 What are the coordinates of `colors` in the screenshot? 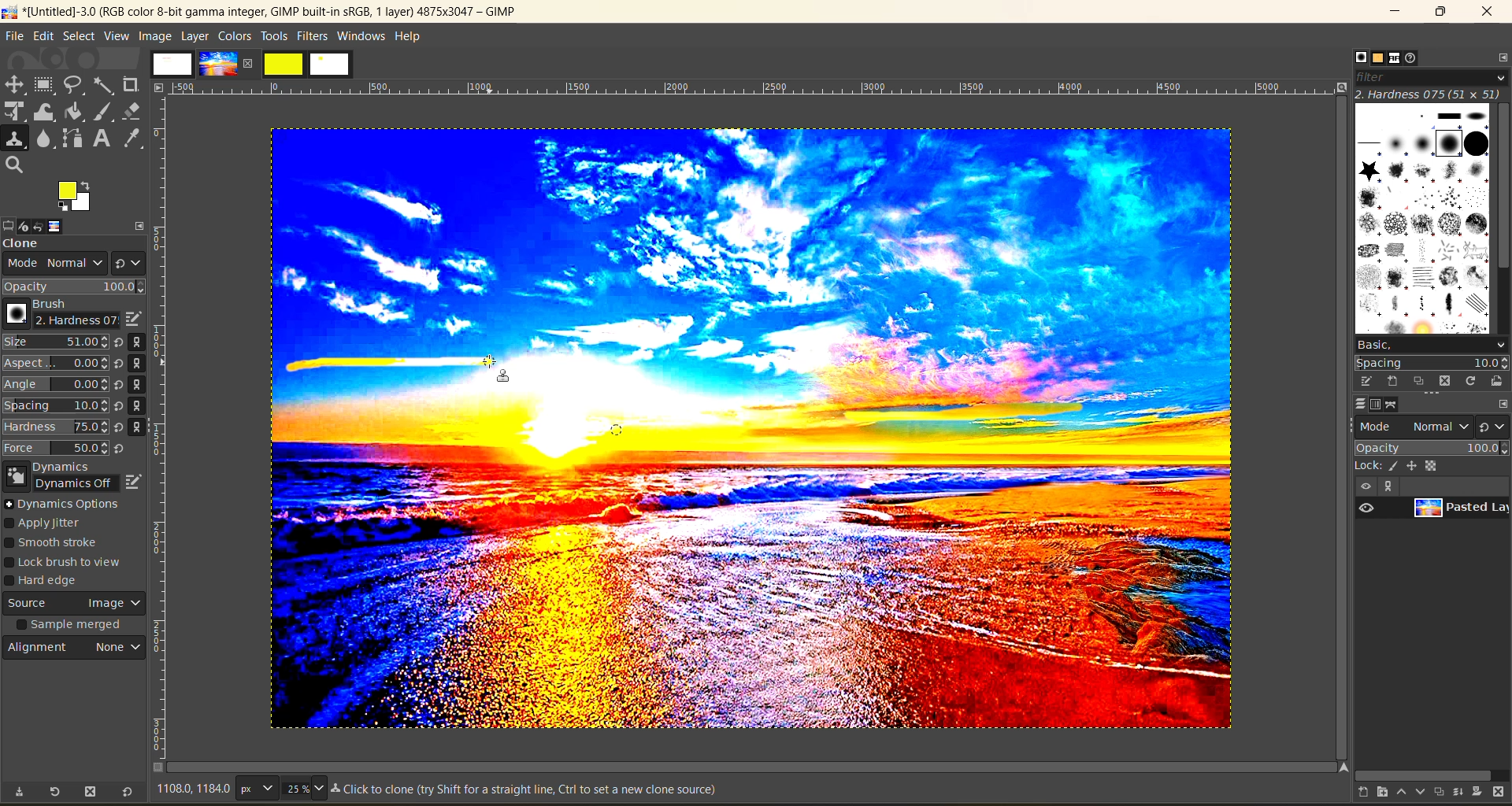 It's located at (234, 35).